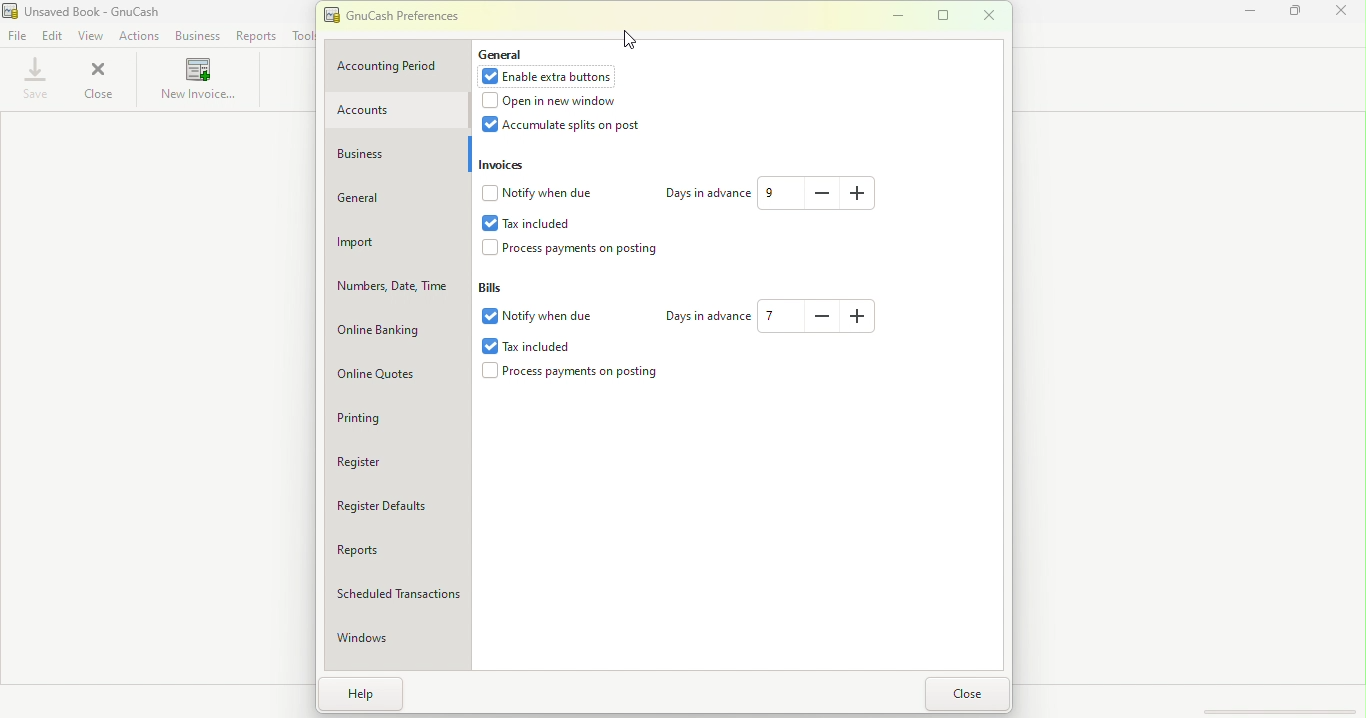 This screenshot has width=1366, height=718. Describe the element at coordinates (393, 69) in the screenshot. I see `Accounting period` at that location.